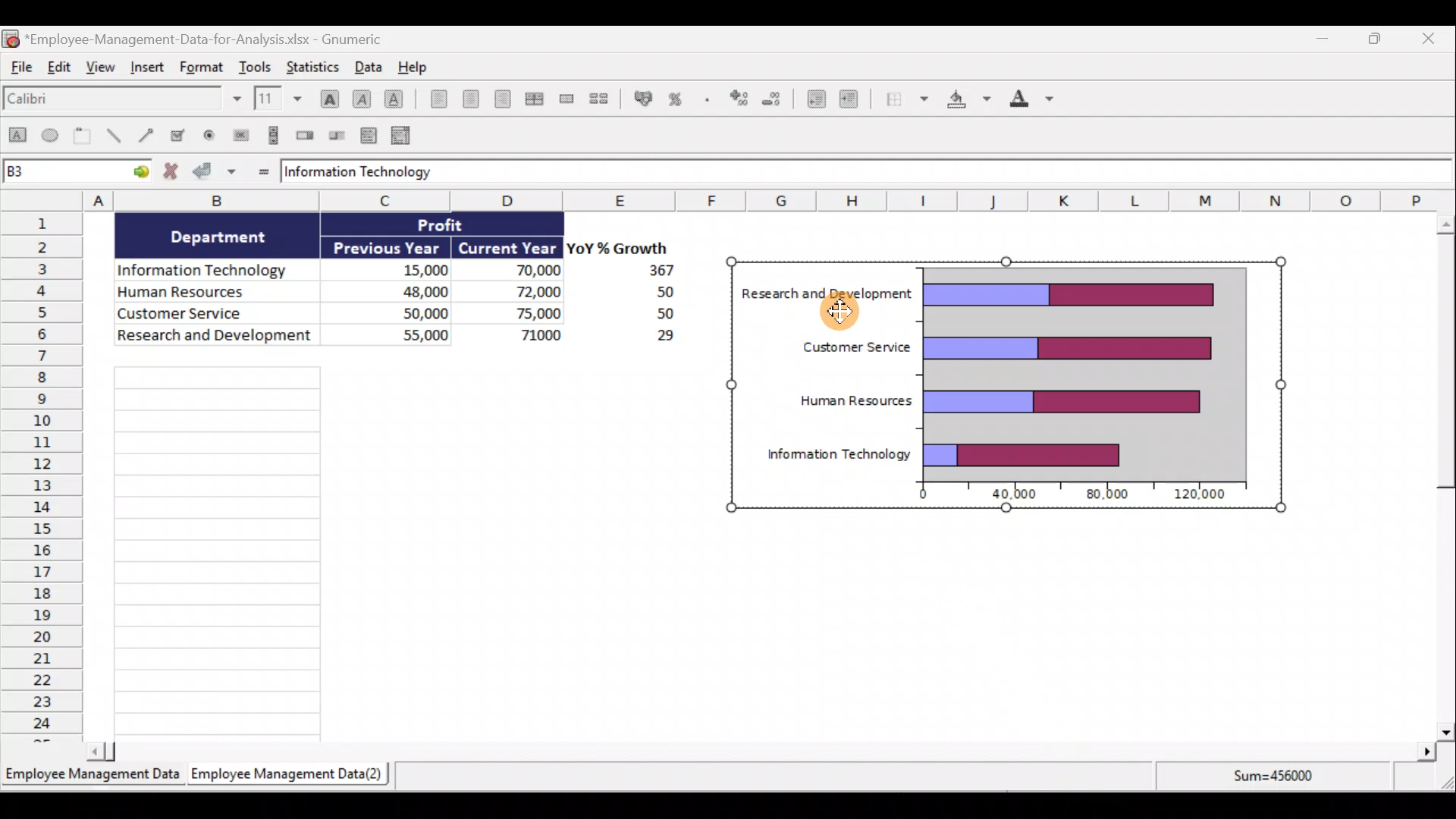 The image size is (1456, 819). Describe the element at coordinates (657, 338) in the screenshot. I see `29` at that location.